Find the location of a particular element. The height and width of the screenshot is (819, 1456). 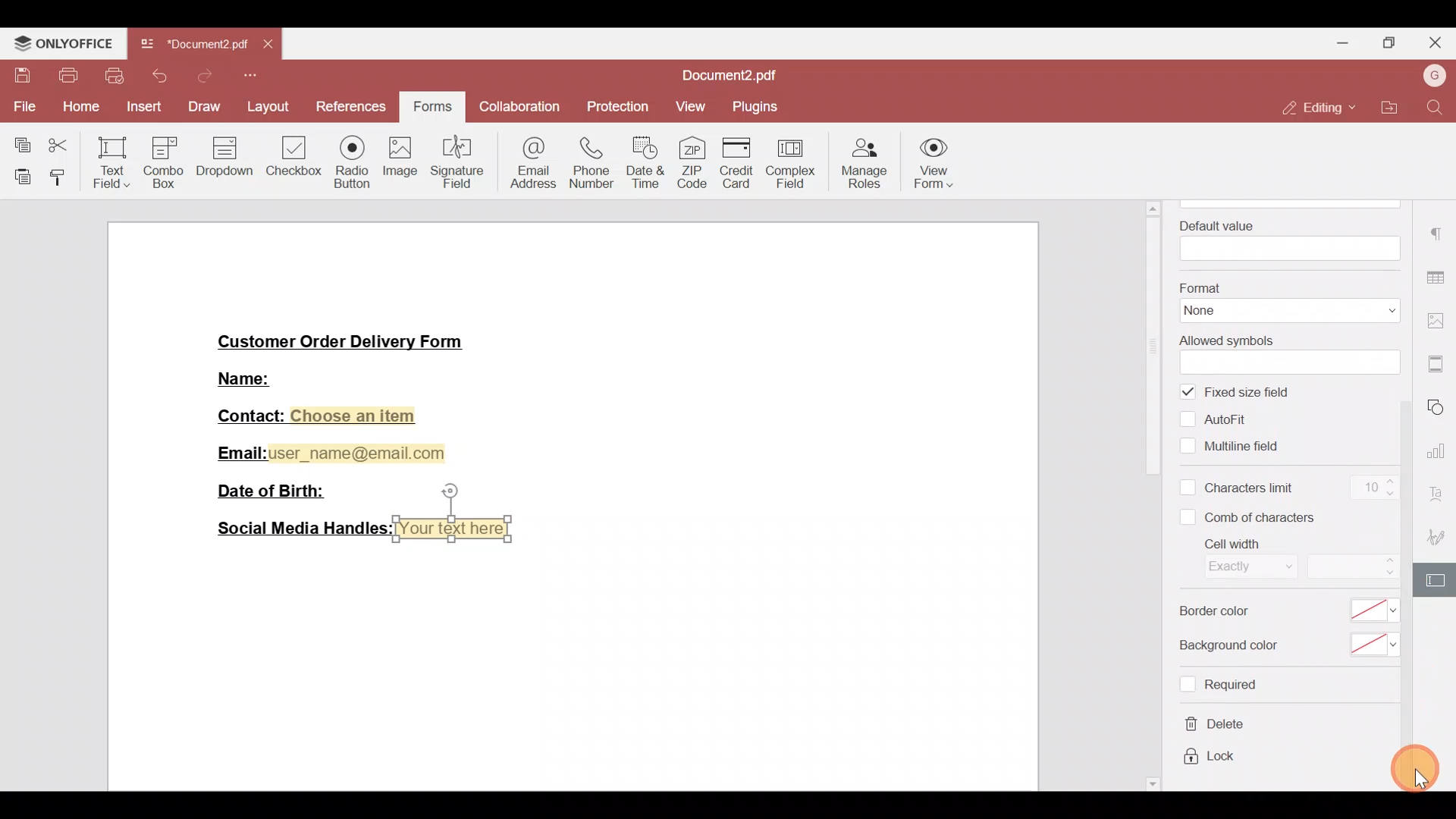

Font settings is located at coordinates (1442, 493).